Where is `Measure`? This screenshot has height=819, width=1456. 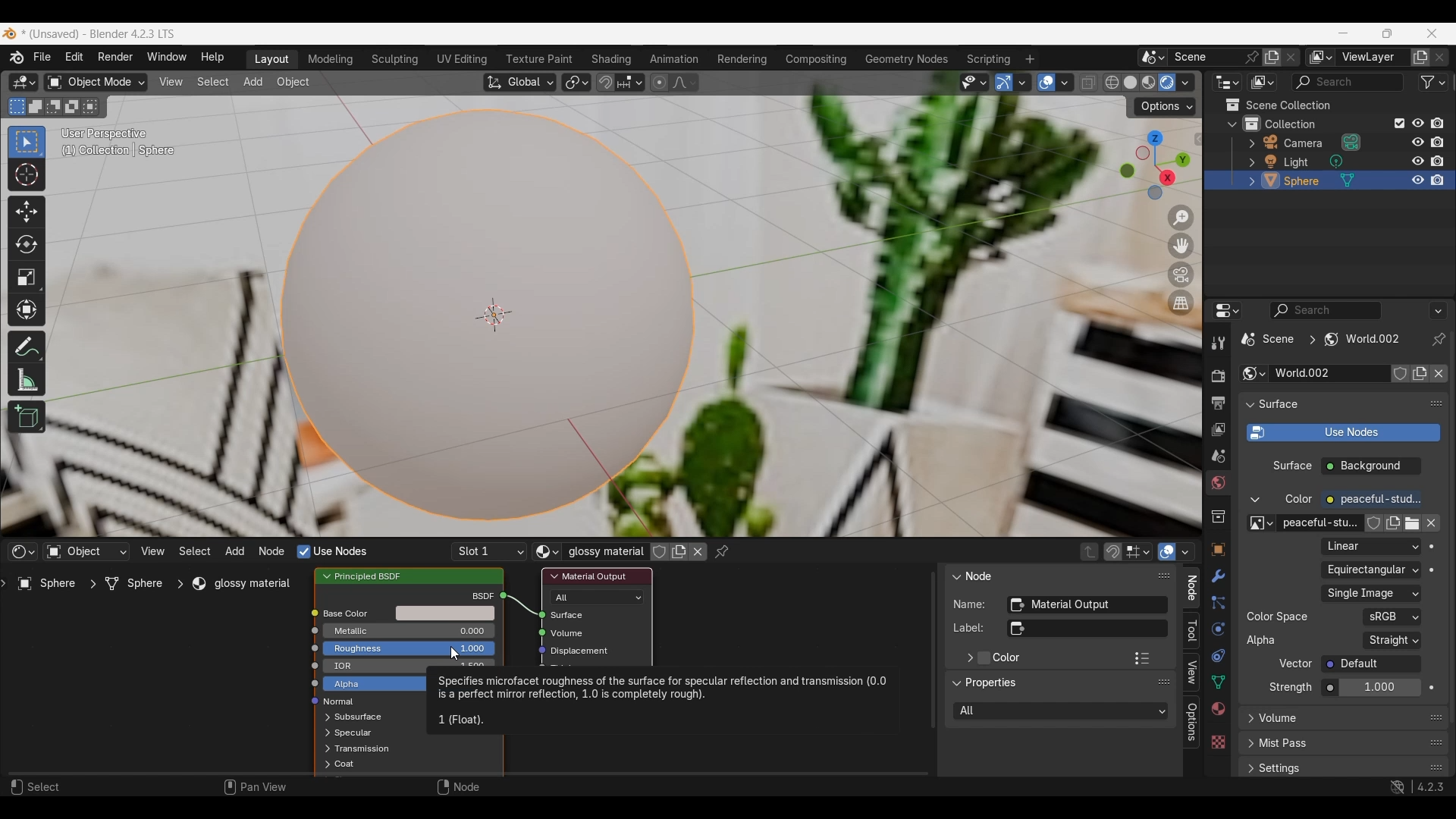 Measure is located at coordinates (25, 380).